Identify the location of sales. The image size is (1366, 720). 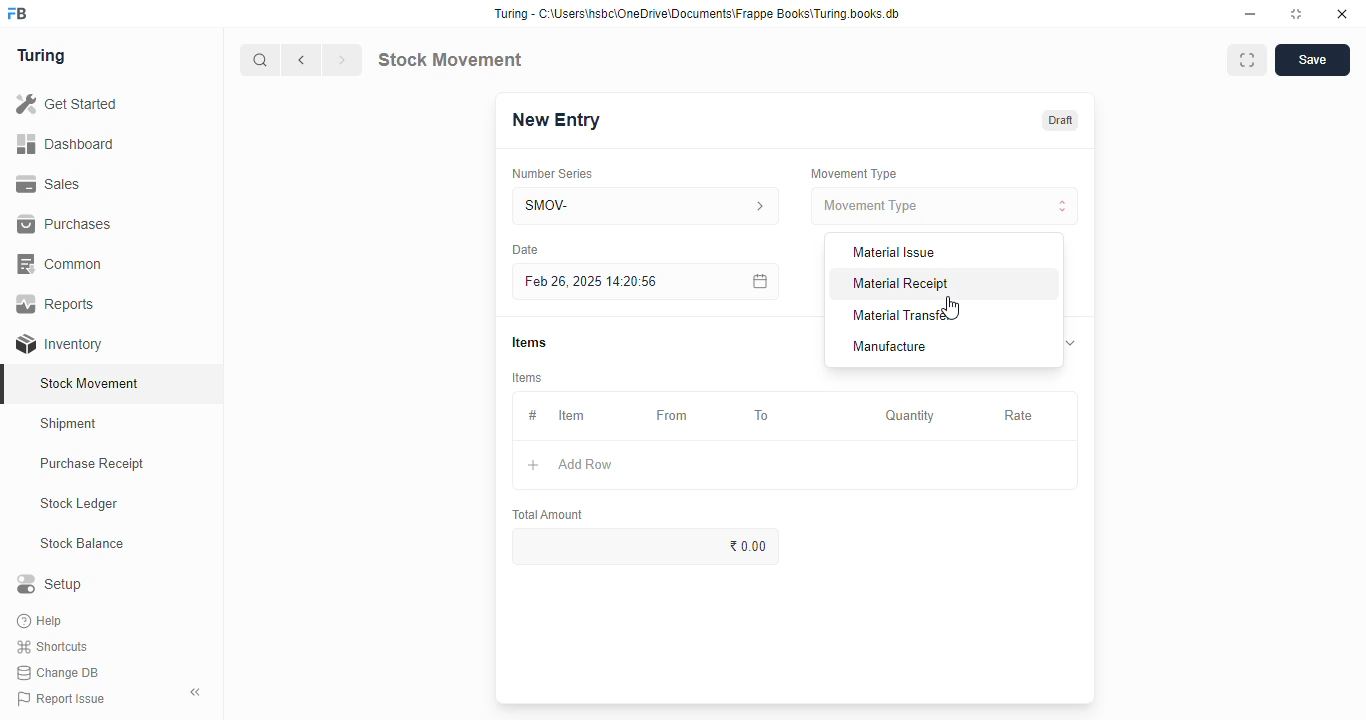
(48, 184).